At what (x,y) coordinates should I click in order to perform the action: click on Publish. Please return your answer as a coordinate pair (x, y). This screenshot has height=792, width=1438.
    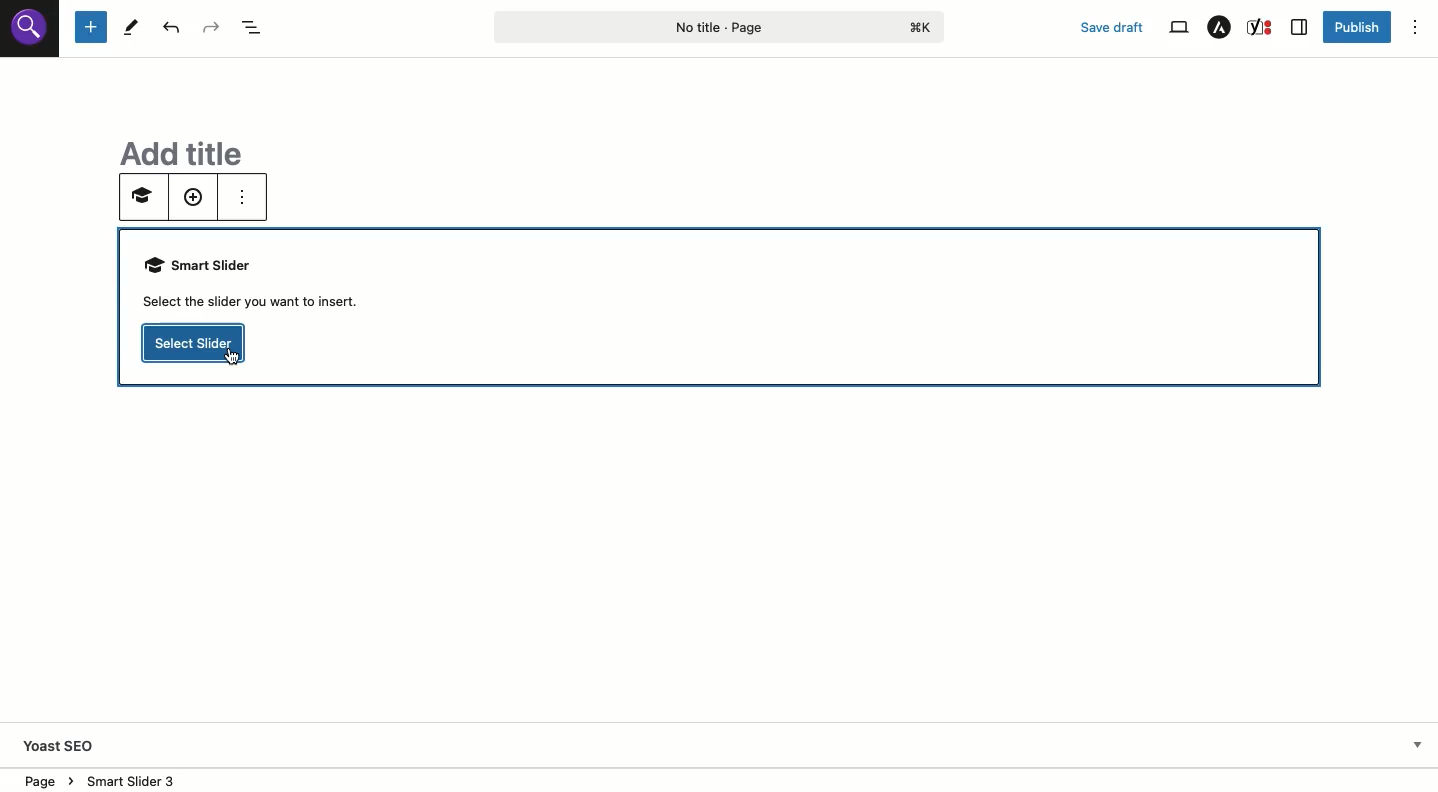
    Looking at the image, I should click on (1357, 29).